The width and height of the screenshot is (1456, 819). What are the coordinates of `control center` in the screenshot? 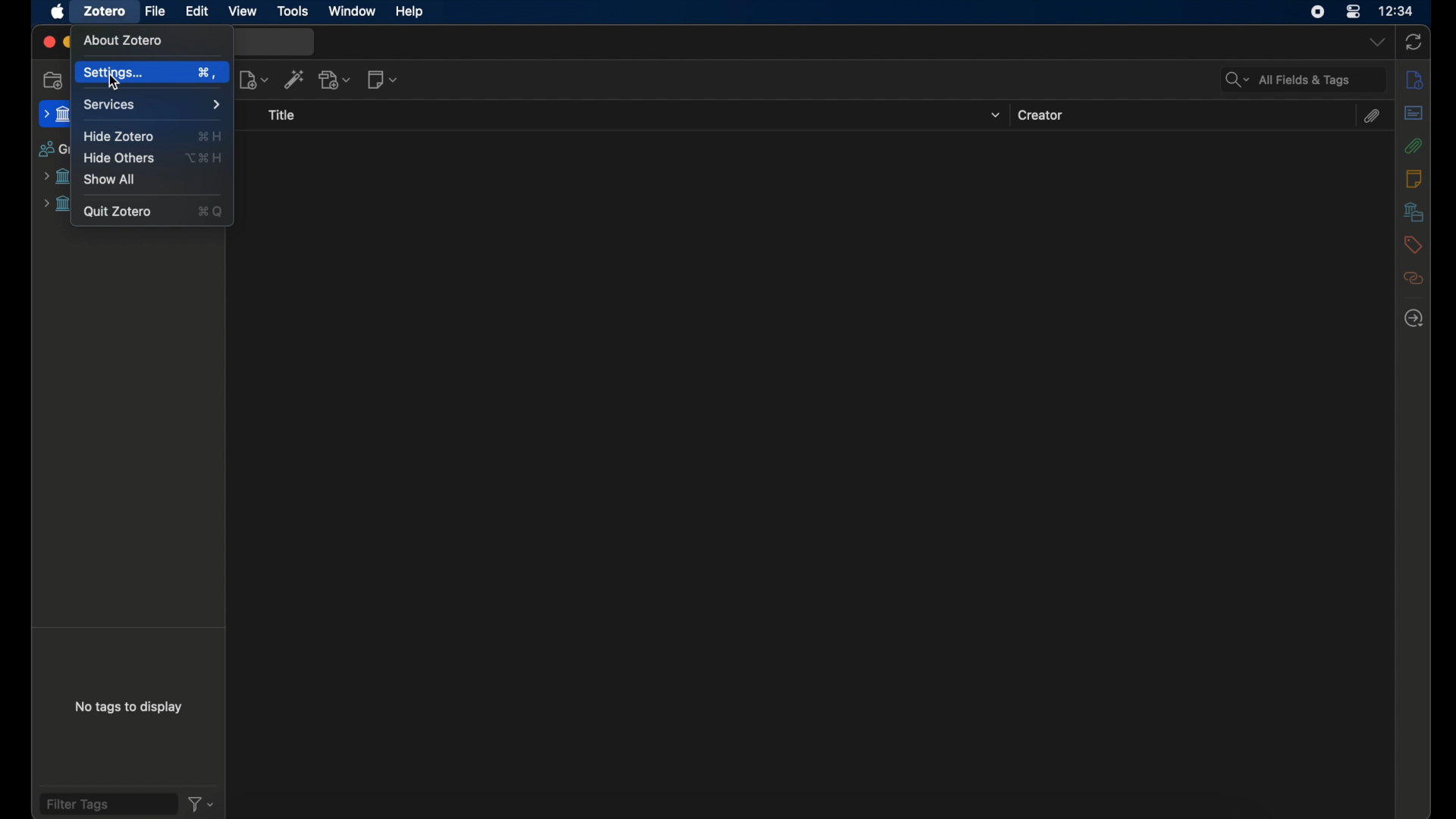 It's located at (1353, 12).